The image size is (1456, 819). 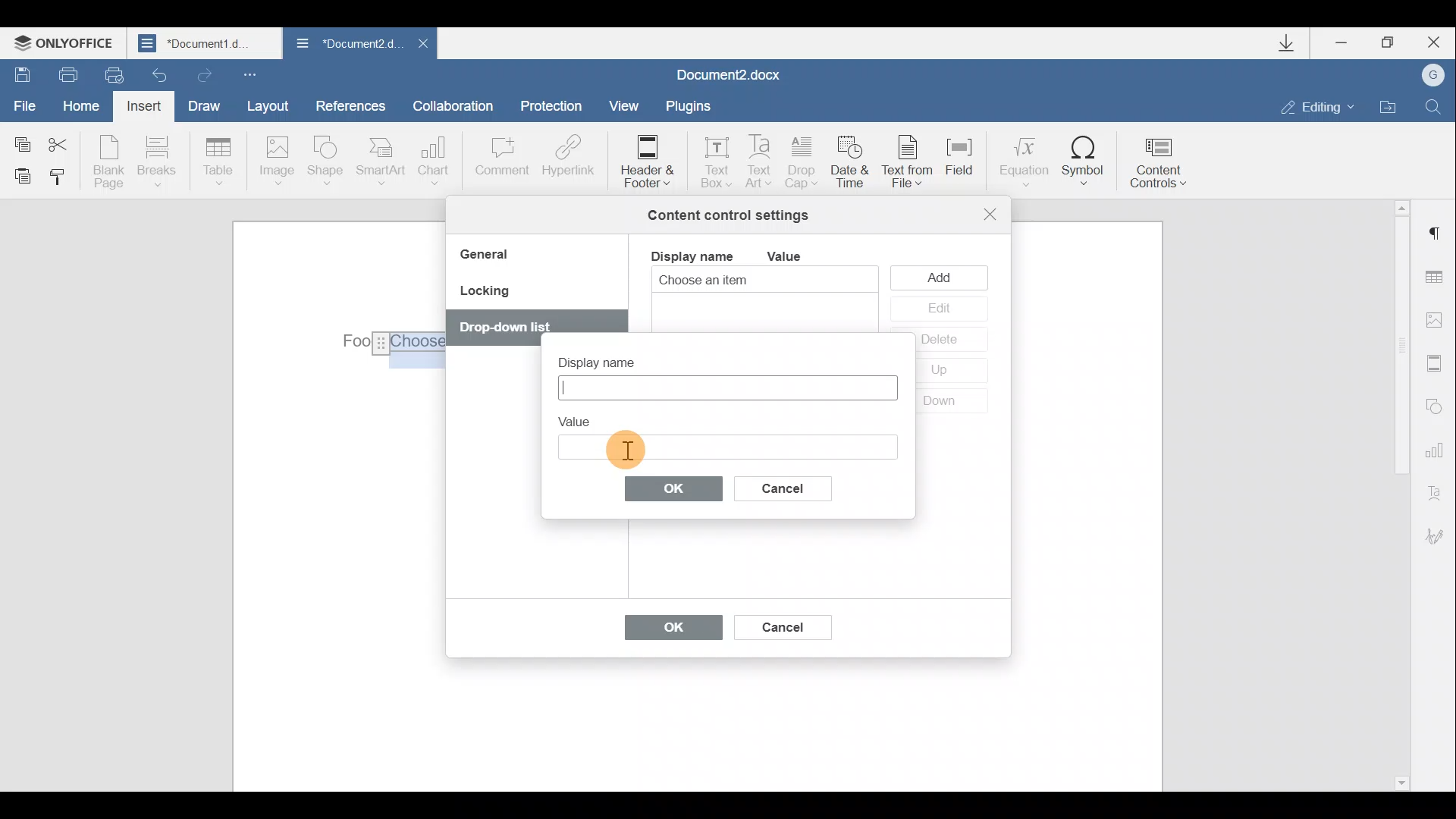 What do you see at coordinates (67, 42) in the screenshot?
I see `ONLYOFFICE` at bounding box center [67, 42].